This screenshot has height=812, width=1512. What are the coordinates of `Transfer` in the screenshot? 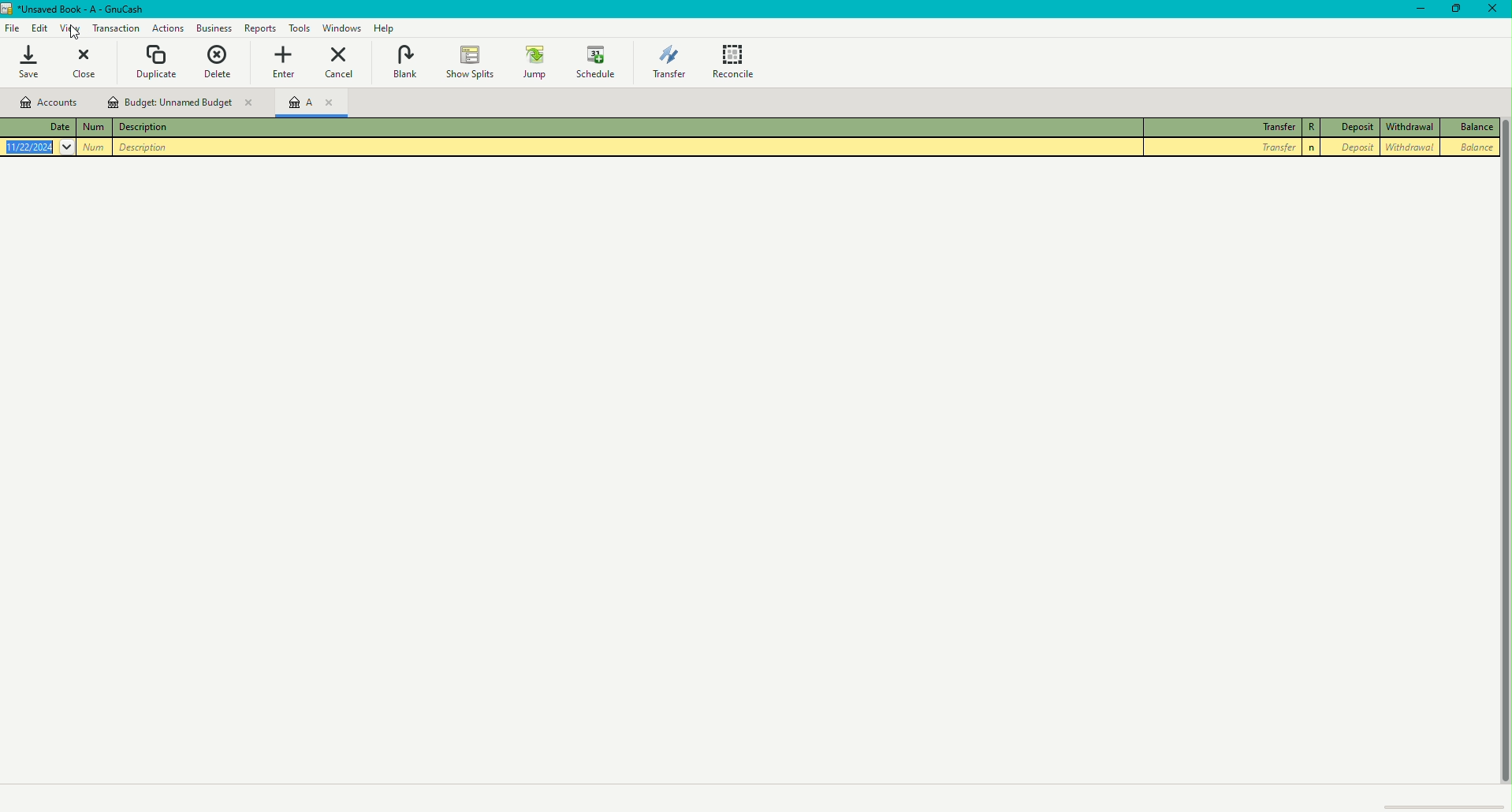 It's located at (1218, 128).